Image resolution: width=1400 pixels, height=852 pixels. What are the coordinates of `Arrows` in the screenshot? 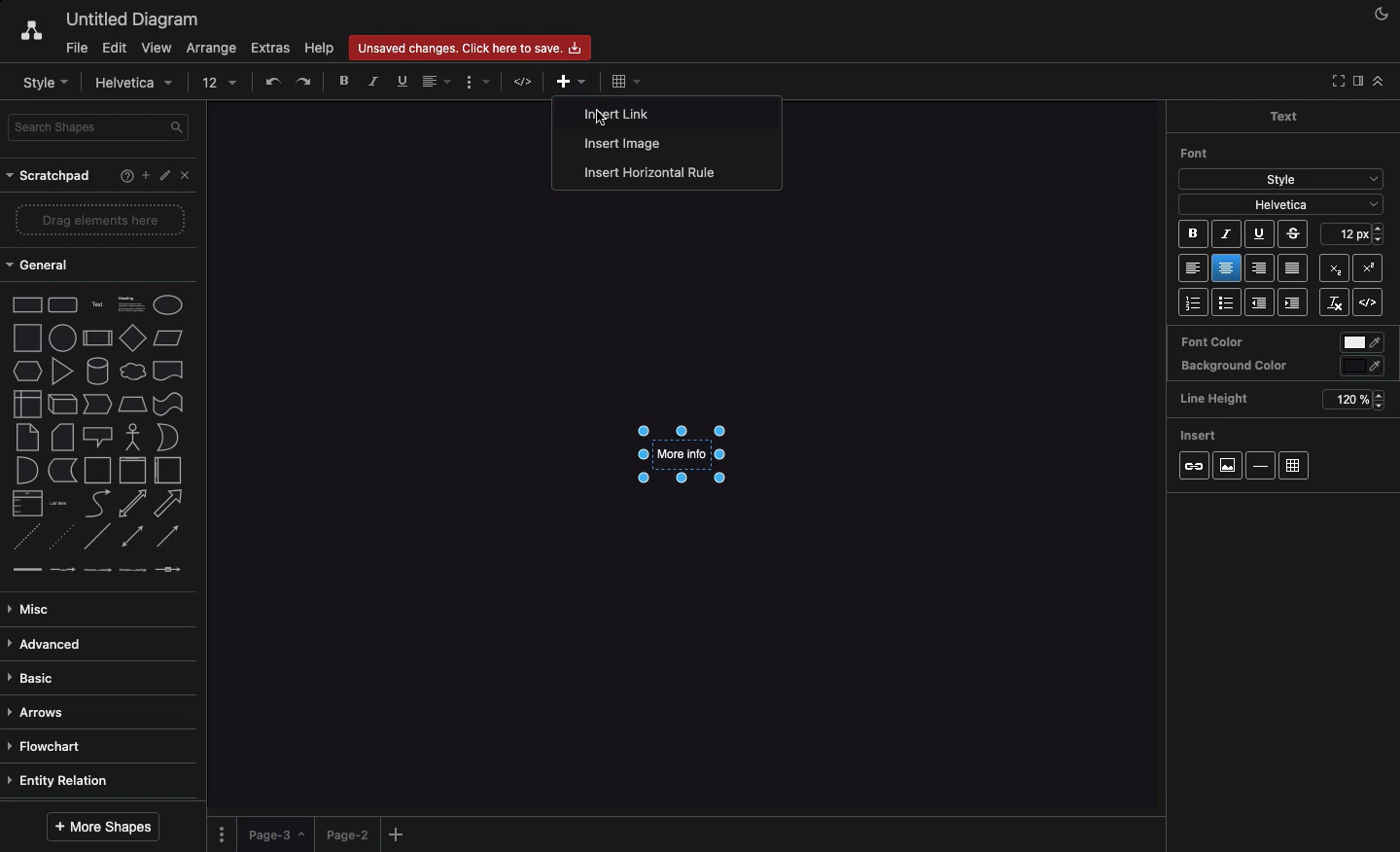 It's located at (40, 714).